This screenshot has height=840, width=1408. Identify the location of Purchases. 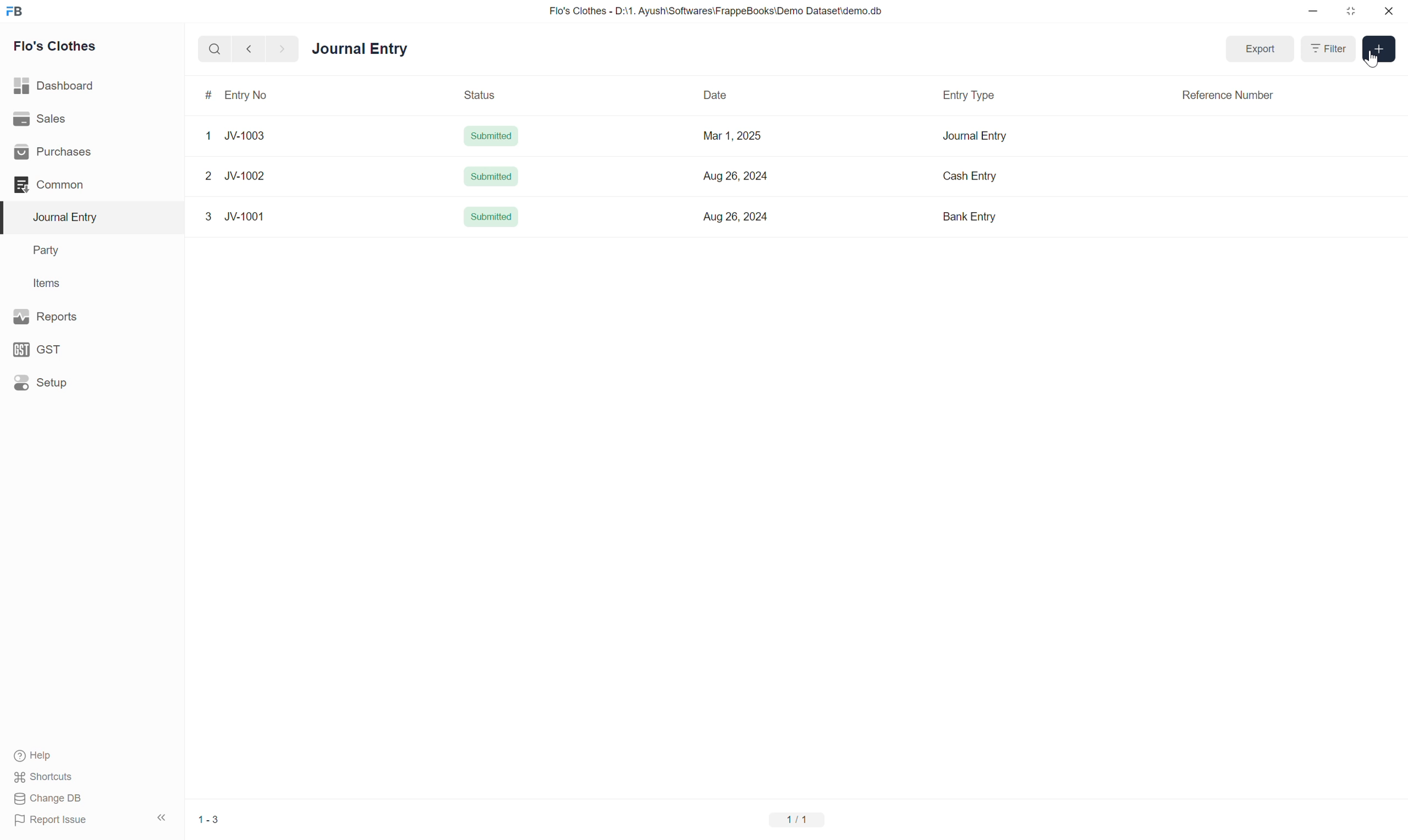
(56, 152).